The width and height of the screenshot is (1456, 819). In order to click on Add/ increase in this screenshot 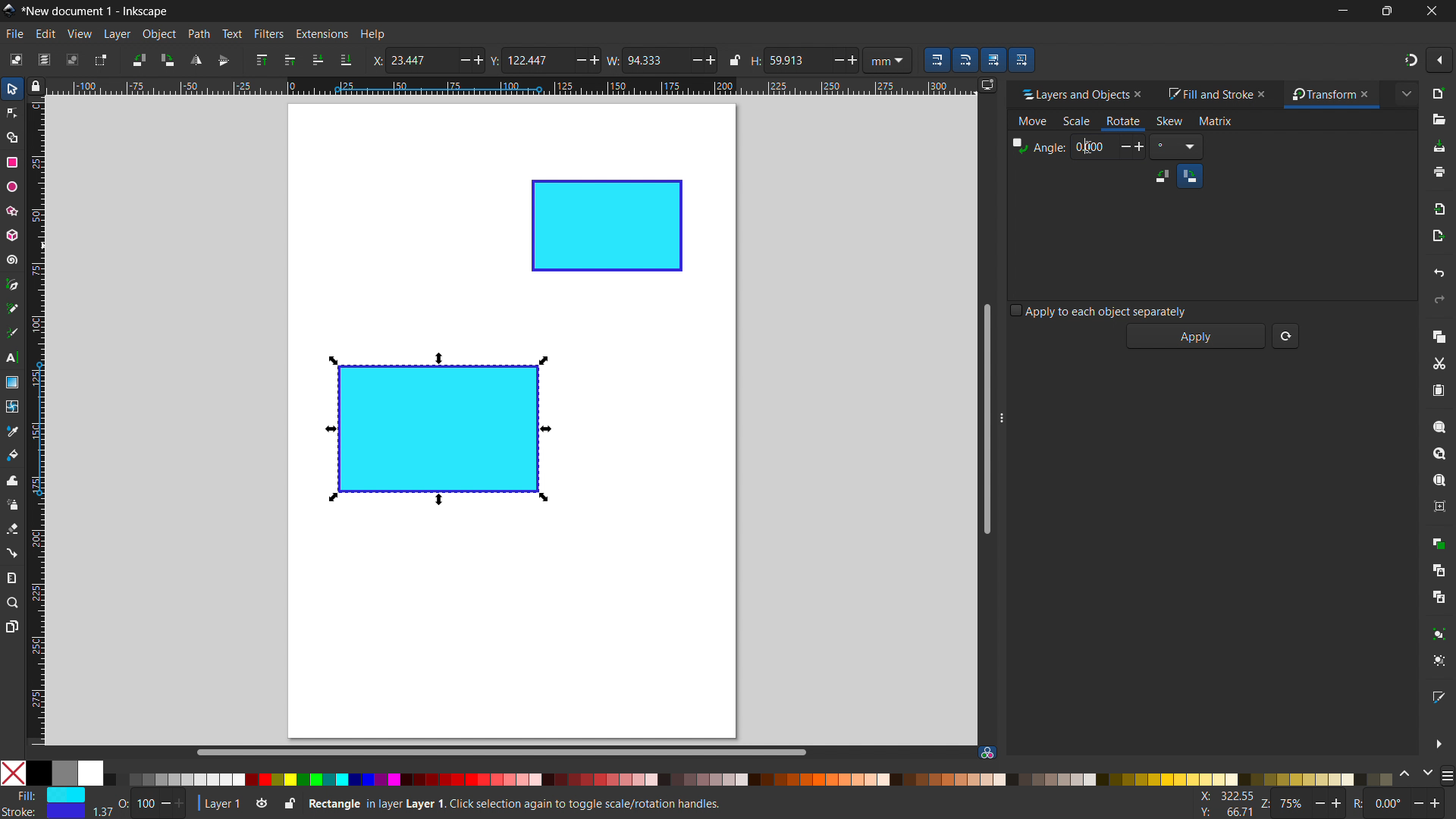, I will do `click(853, 58)`.